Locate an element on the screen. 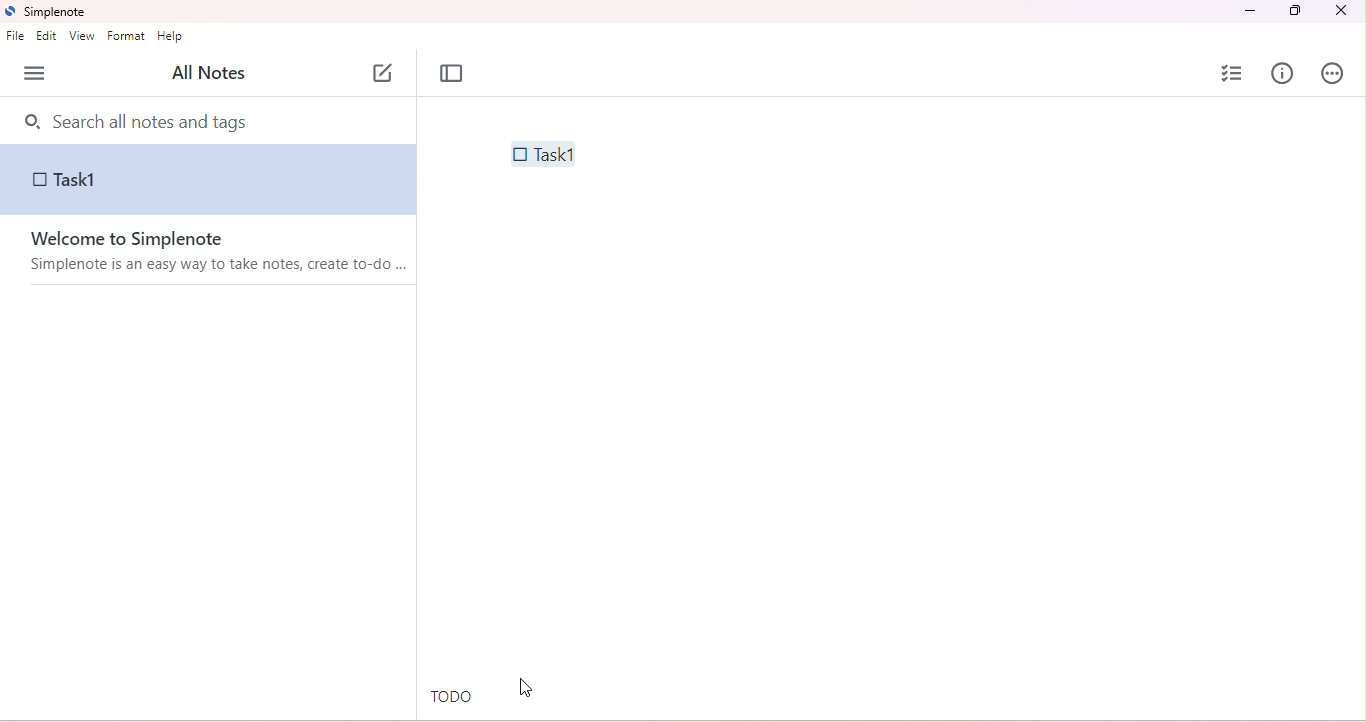  edit is located at coordinates (49, 38).